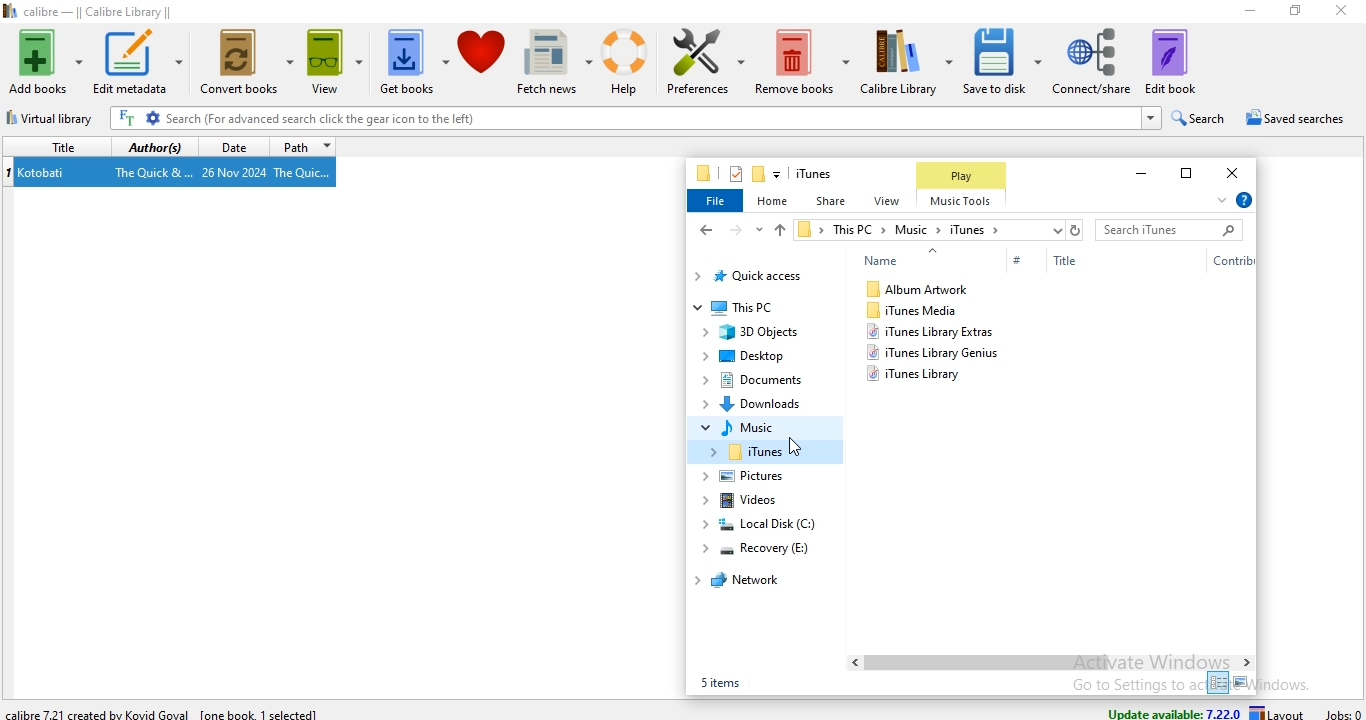 Image resolution: width=1366 pixels, height=720 pixels. I want to click on fetch news, so click(554, 60).